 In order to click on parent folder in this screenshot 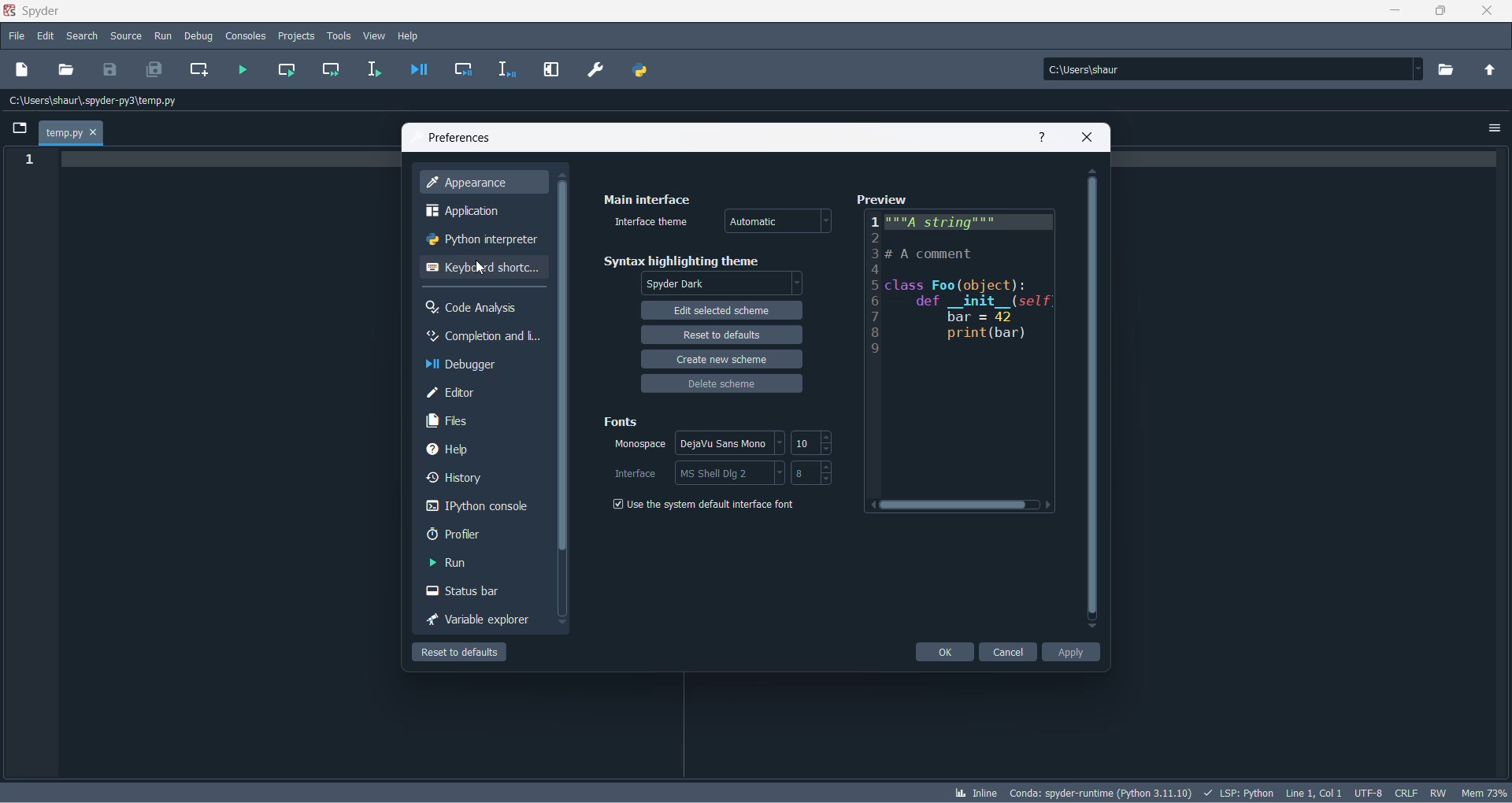, I will do `click(1492, 71)`.